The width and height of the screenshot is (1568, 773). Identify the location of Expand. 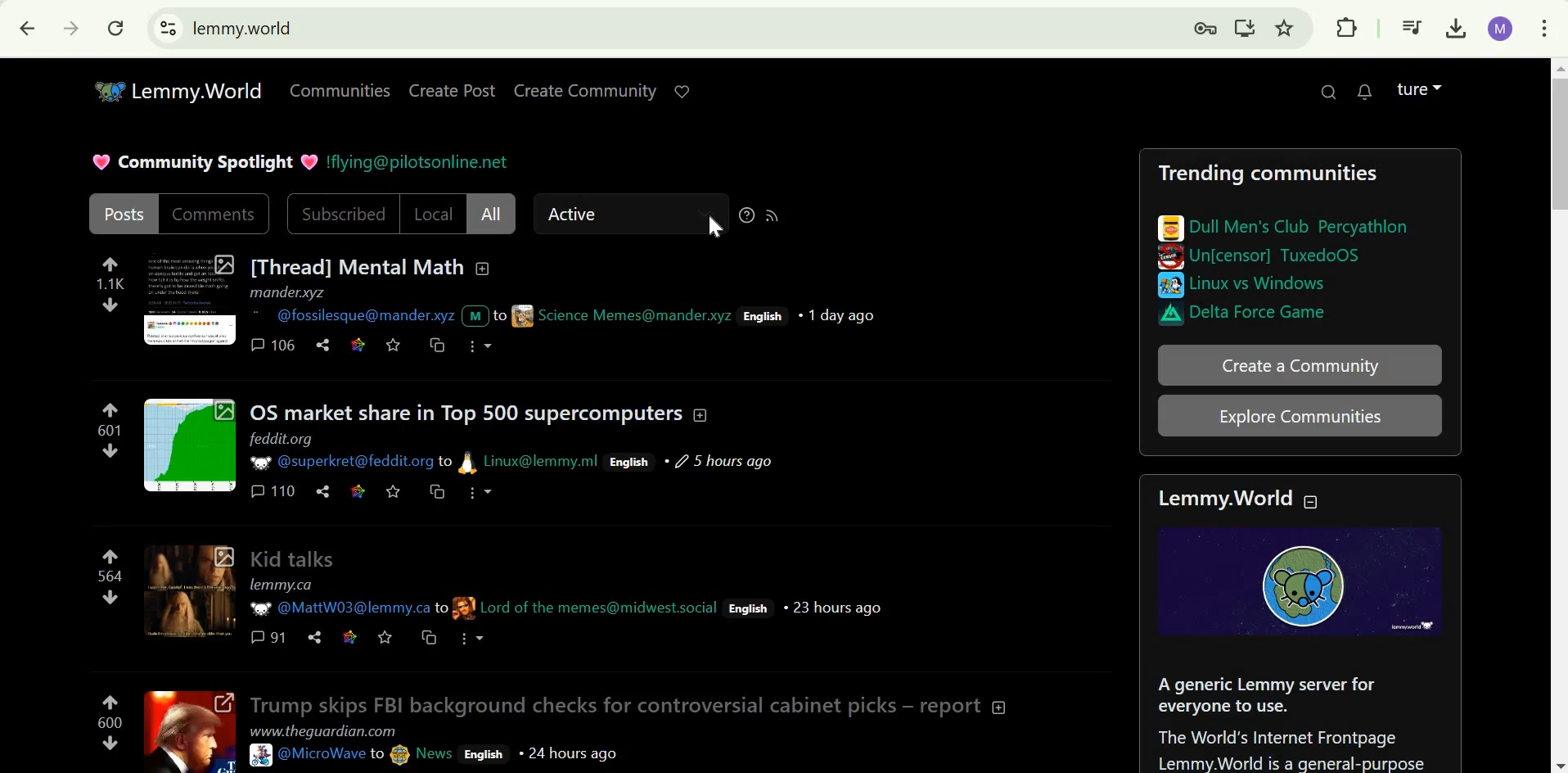
(191, 732).